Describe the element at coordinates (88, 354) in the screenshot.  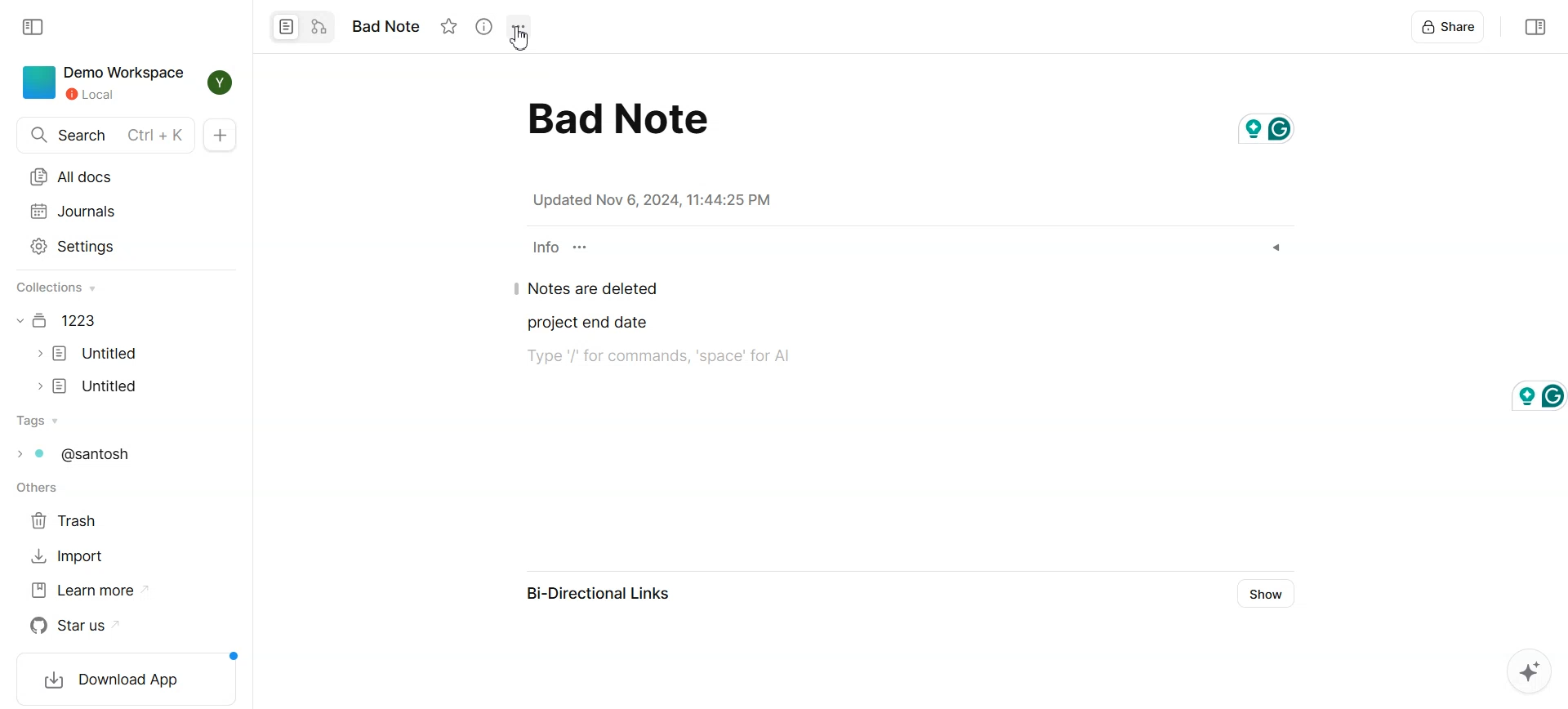
I see `Document file` at that location.